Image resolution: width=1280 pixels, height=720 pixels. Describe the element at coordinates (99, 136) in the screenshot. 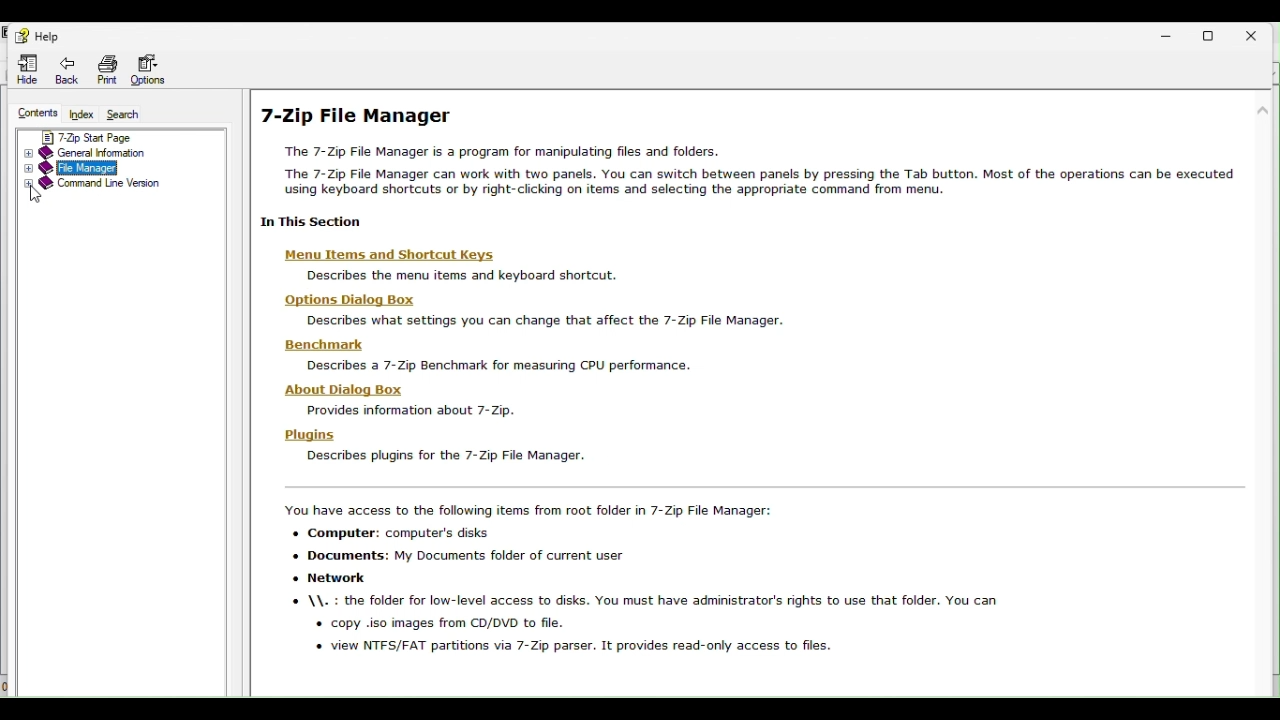

I see `7 zip start page` at that location.